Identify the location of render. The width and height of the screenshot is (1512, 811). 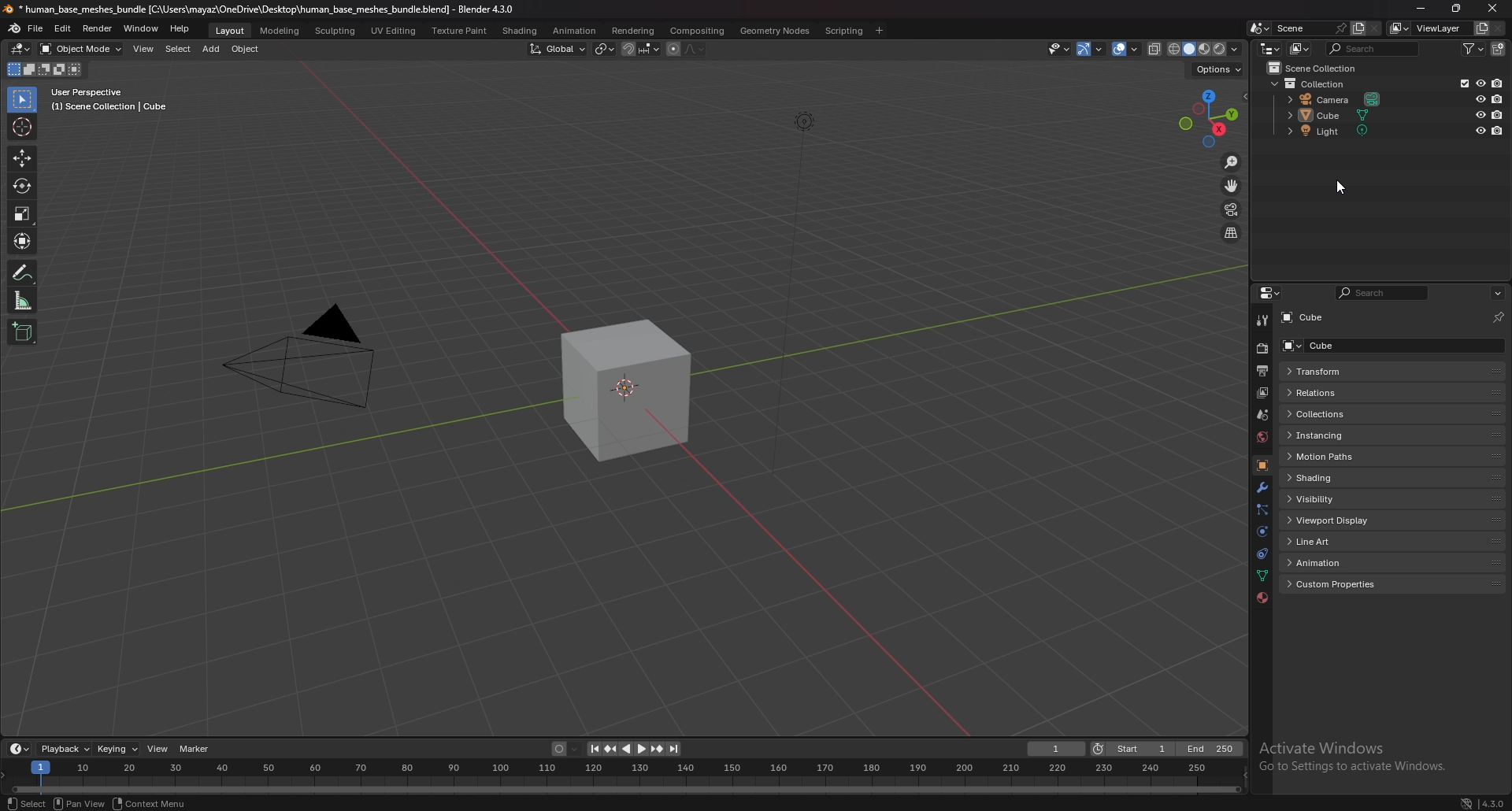
(1262, 349).